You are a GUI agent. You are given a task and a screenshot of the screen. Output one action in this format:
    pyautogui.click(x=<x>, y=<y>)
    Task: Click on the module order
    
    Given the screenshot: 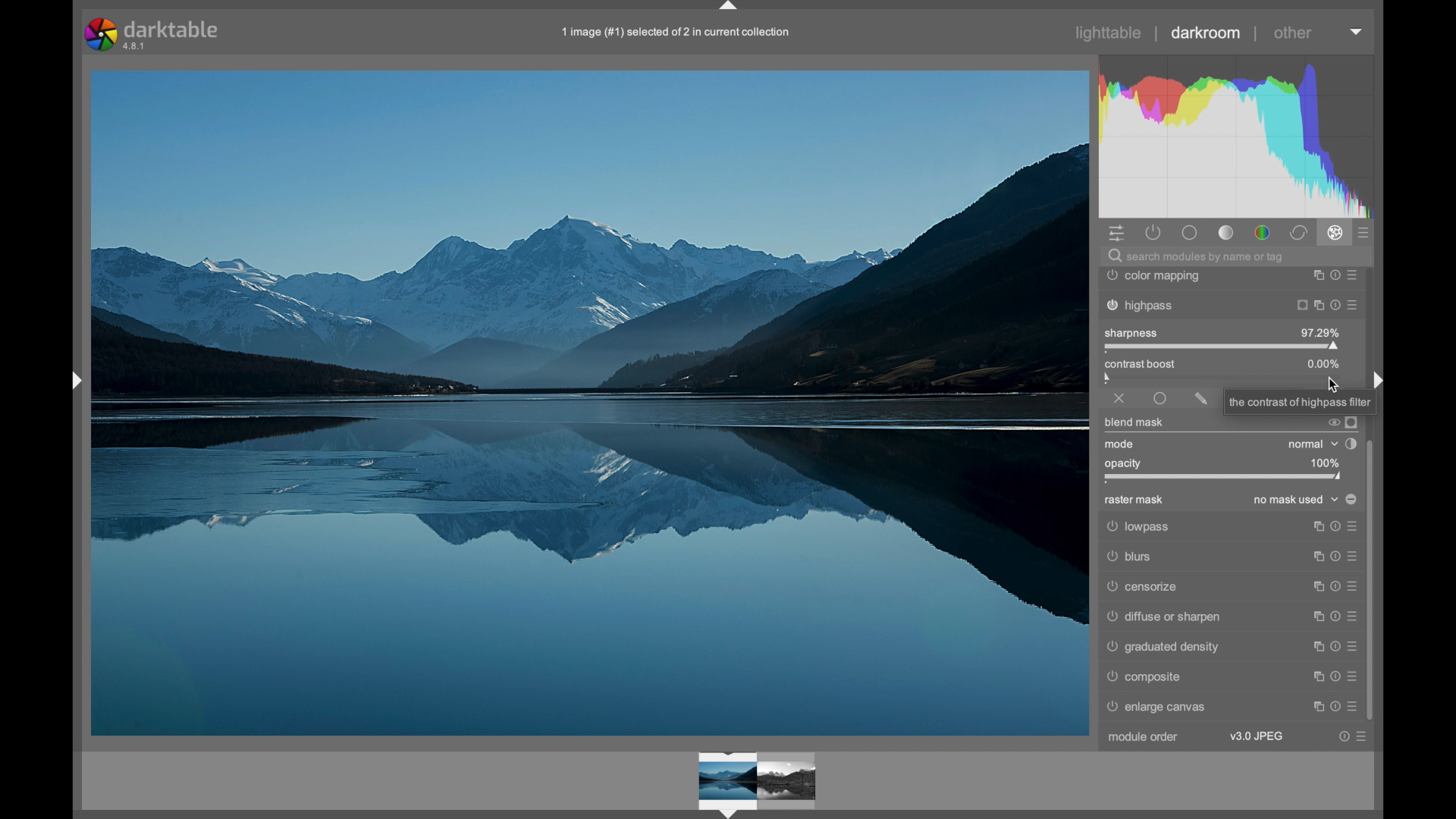 What is the action you would take?
    pyautogui.click(x=1144, y=736)
    